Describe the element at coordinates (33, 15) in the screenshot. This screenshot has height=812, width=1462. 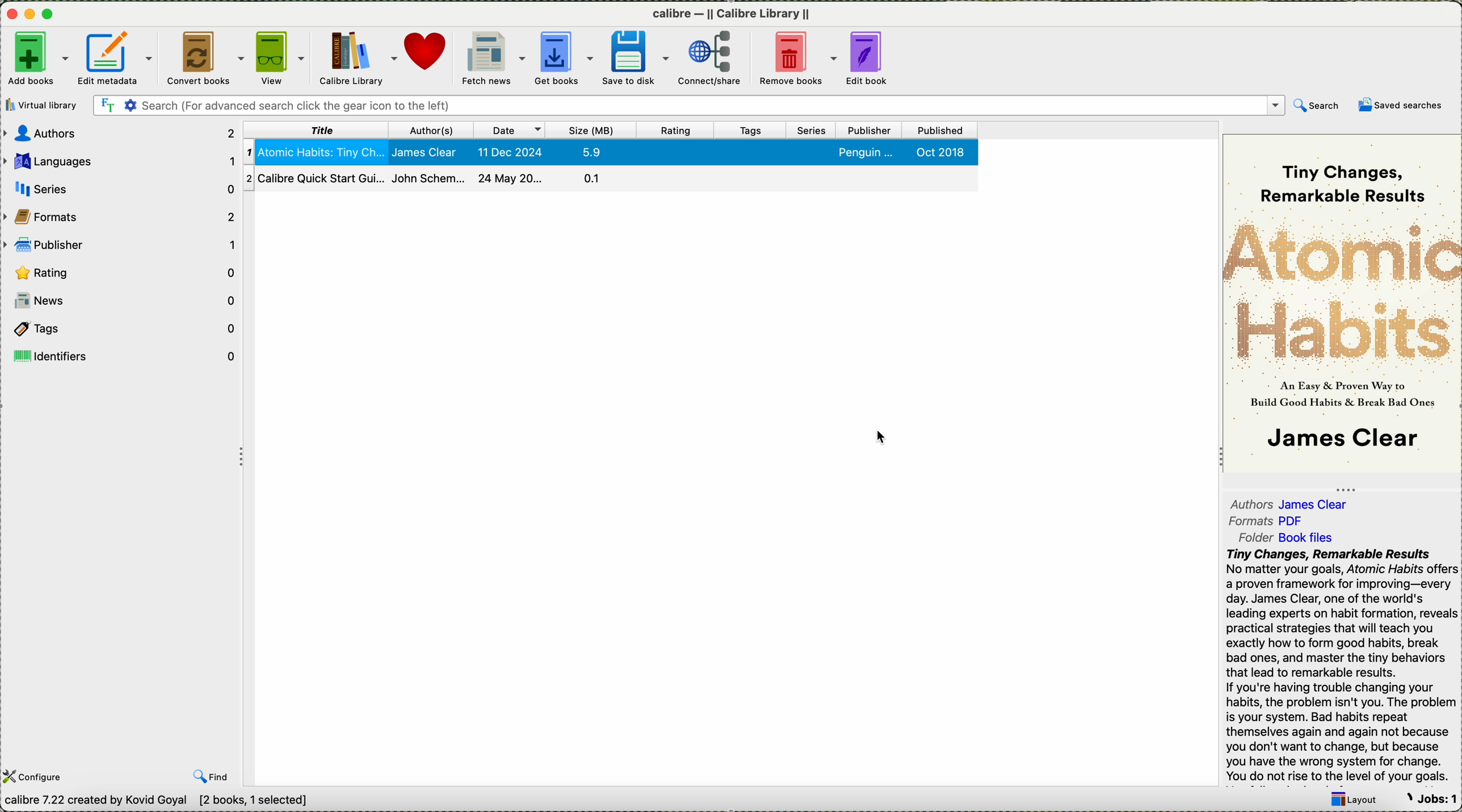
I see `minimize` at that location.